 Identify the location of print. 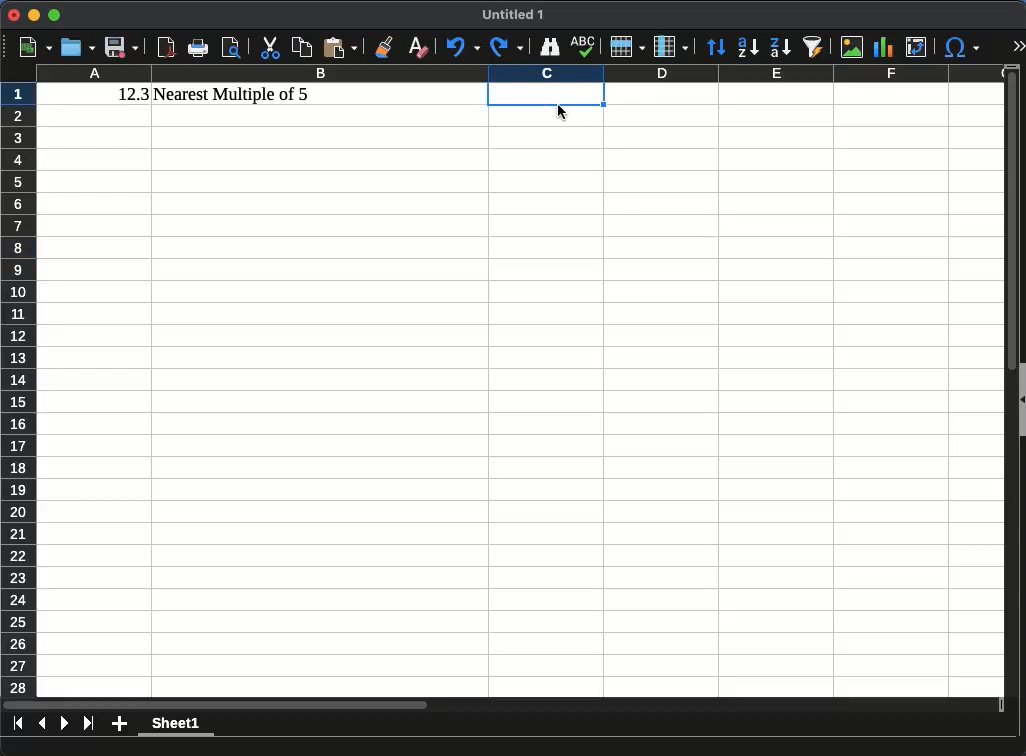
(199, 48).